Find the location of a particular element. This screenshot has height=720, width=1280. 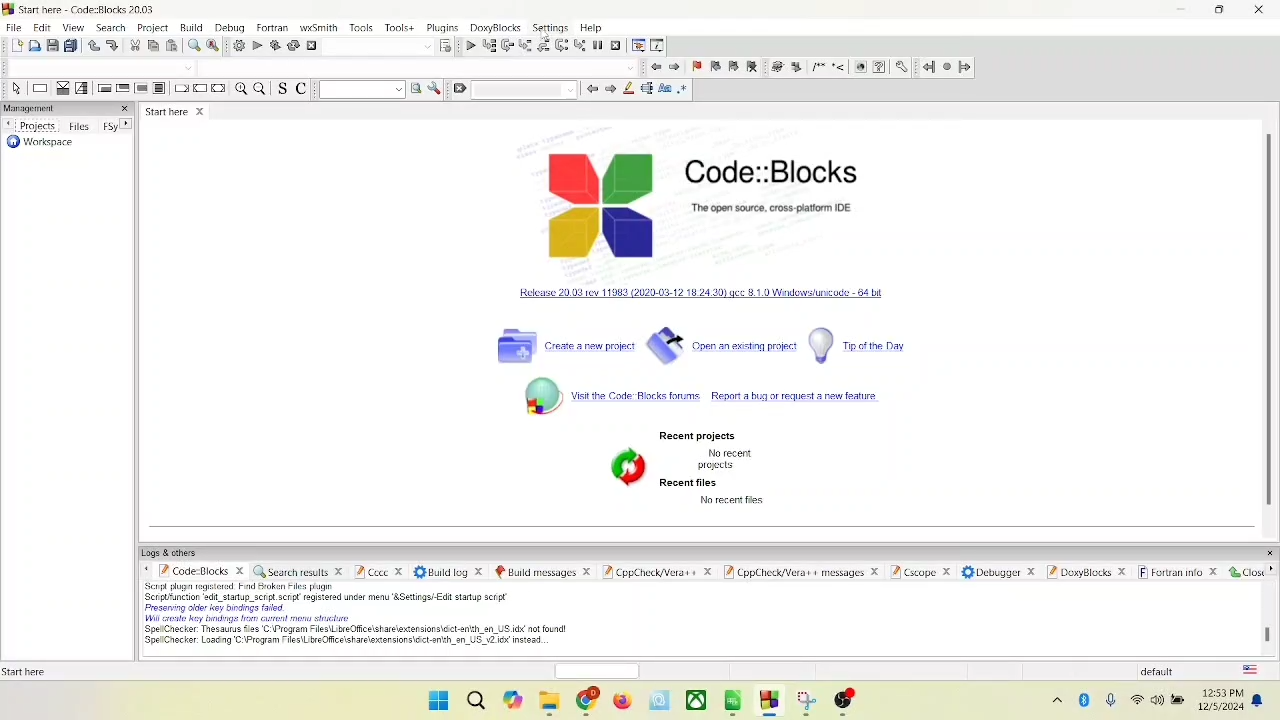

Cscope is located at coordinates (919, 568).